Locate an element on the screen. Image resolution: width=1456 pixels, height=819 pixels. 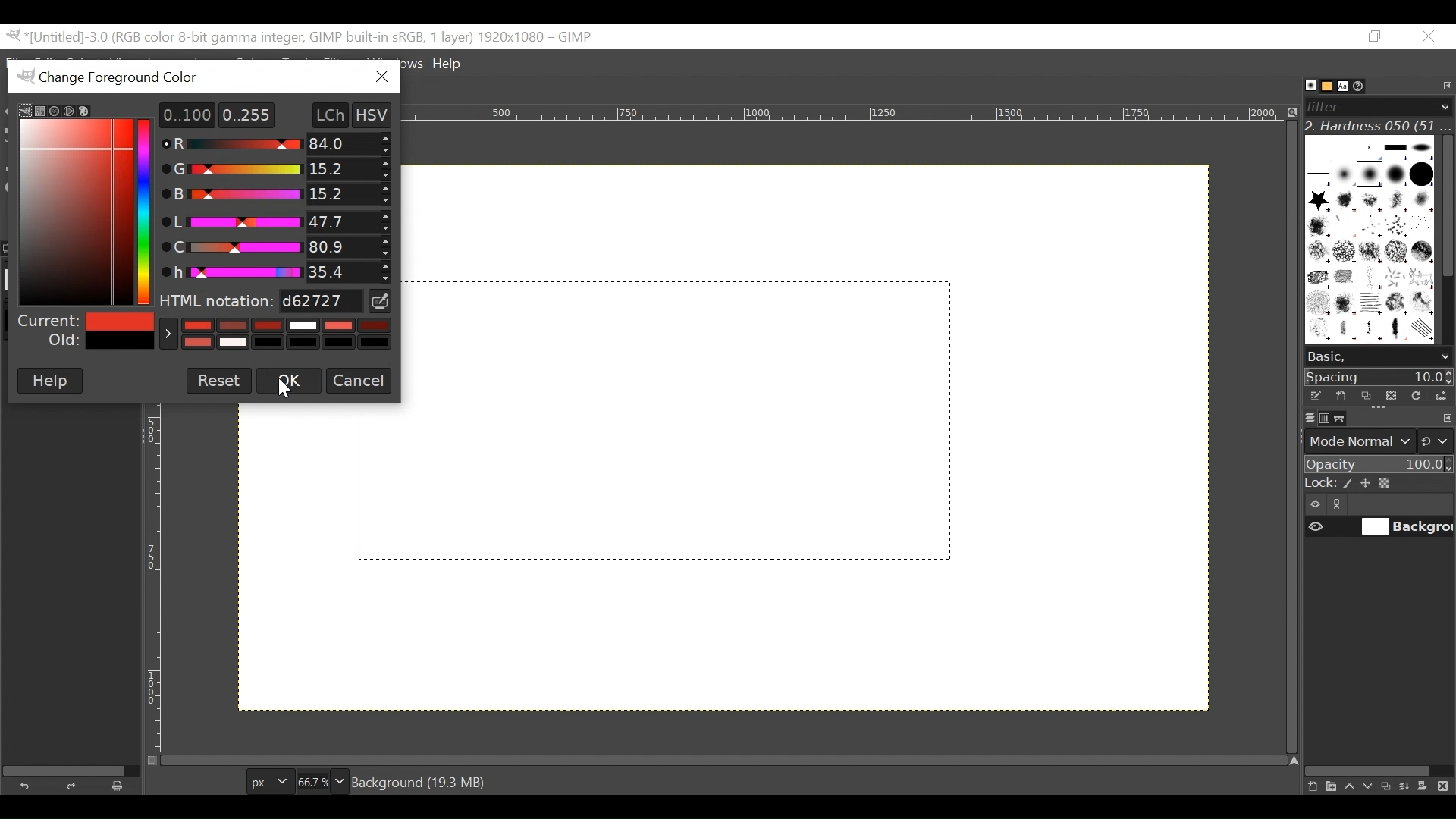
Minimize is located at coordinates (1323, 36).